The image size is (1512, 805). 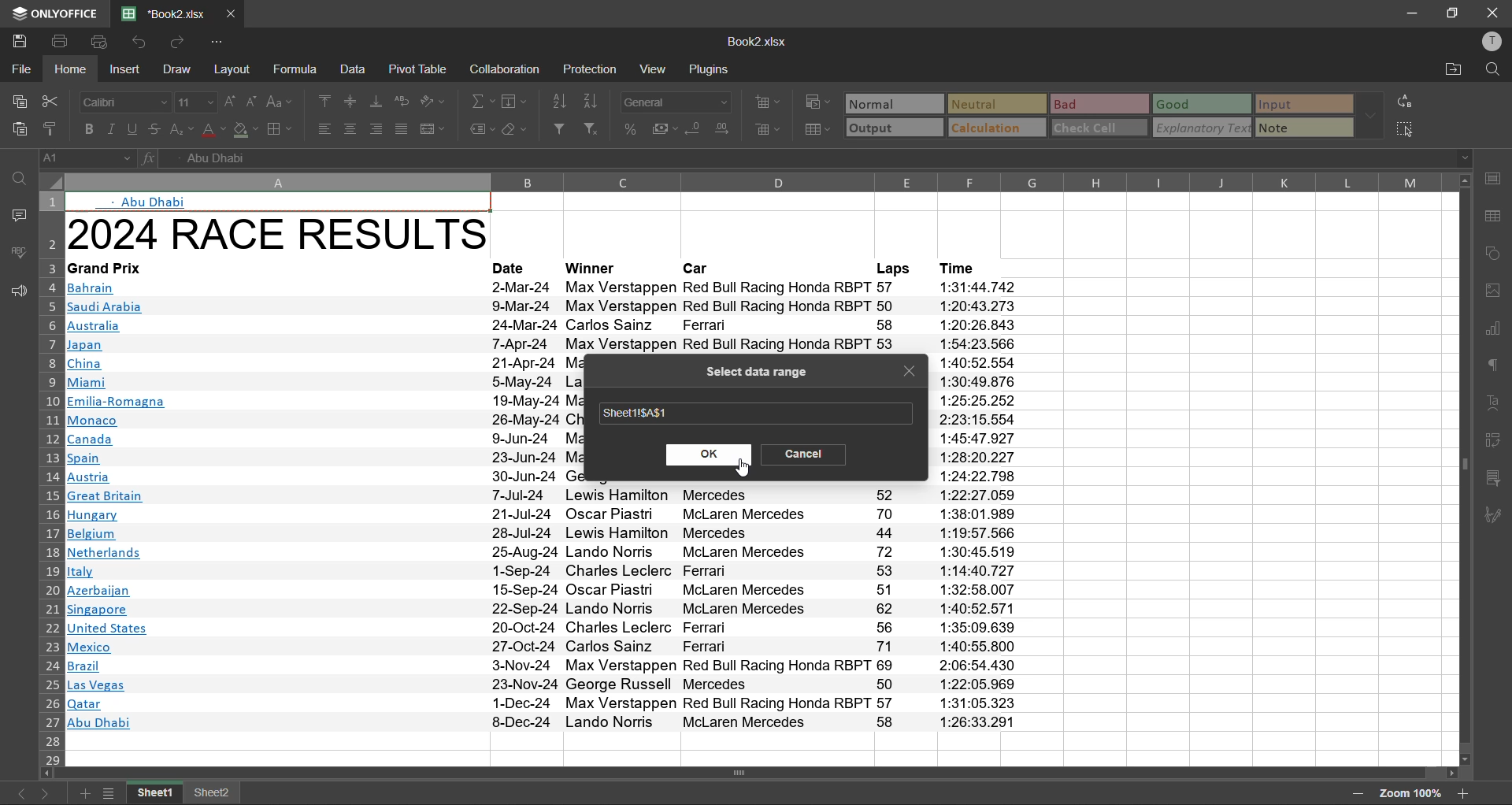 I want to click on merge and center, so click(x=432, y=129).